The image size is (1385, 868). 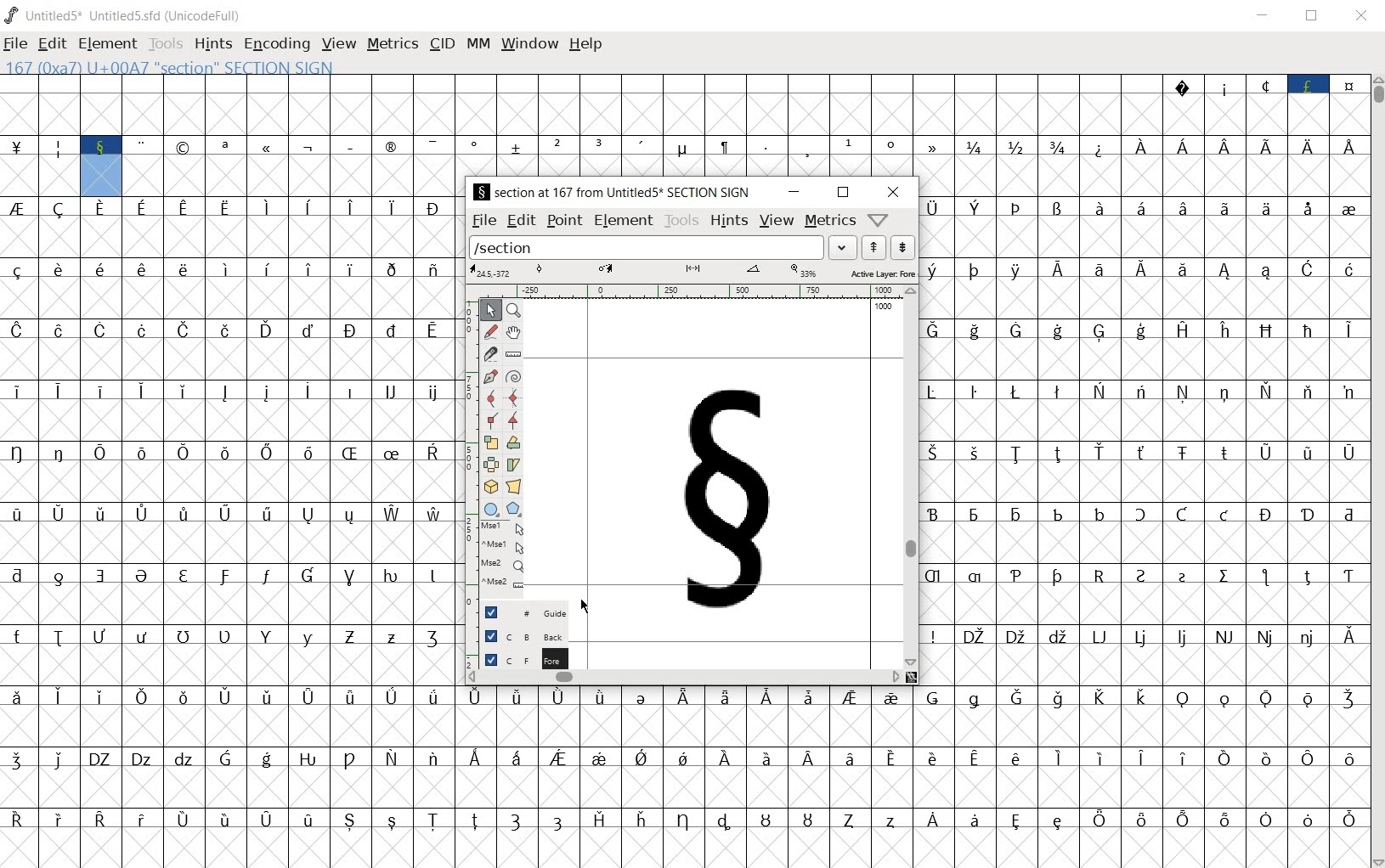 I want to click on draw a freehand curve, so click(x=490, y=330).